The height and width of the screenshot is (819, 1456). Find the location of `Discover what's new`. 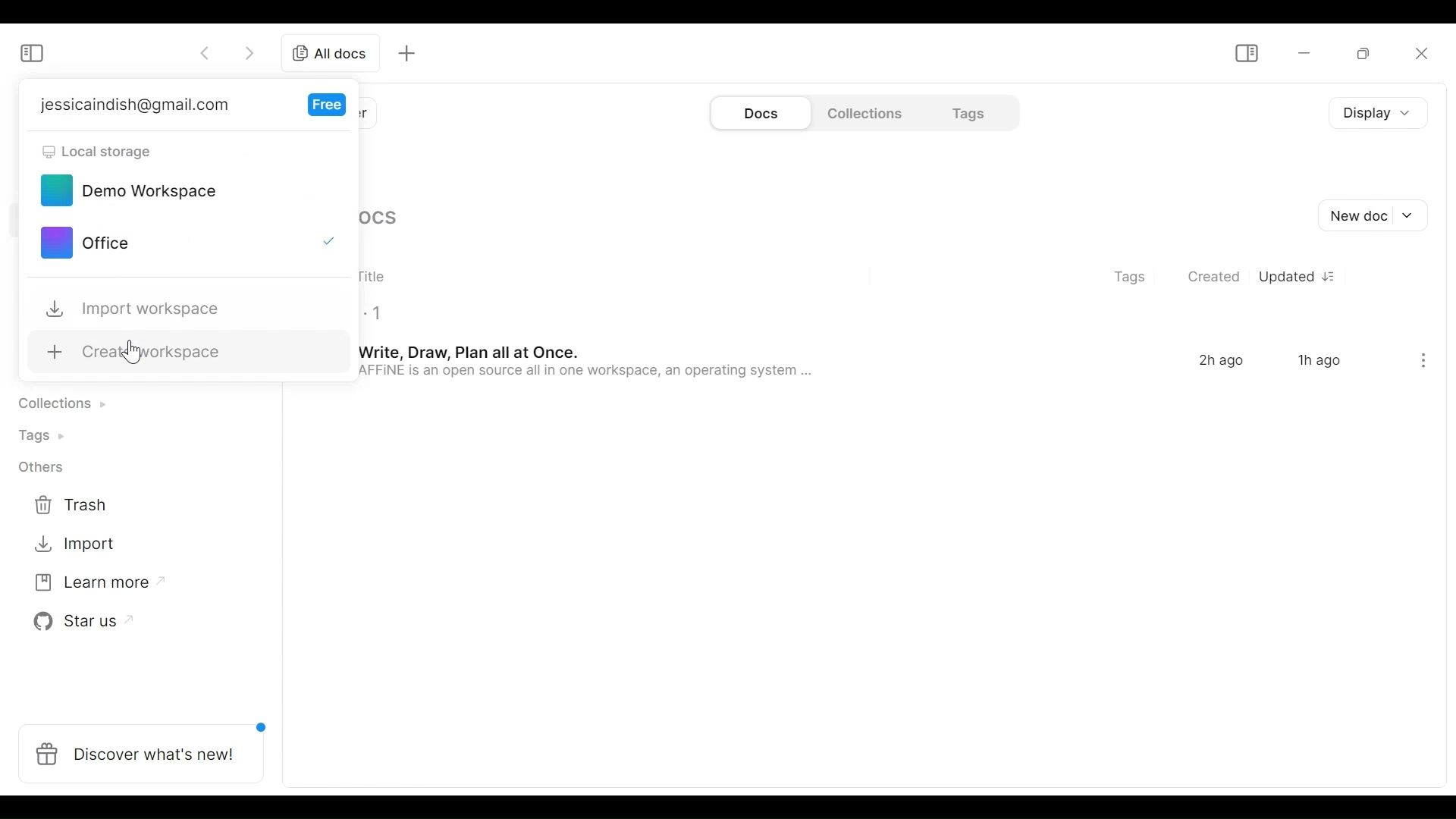

Discover what's new is located at coordinates (140, 751).